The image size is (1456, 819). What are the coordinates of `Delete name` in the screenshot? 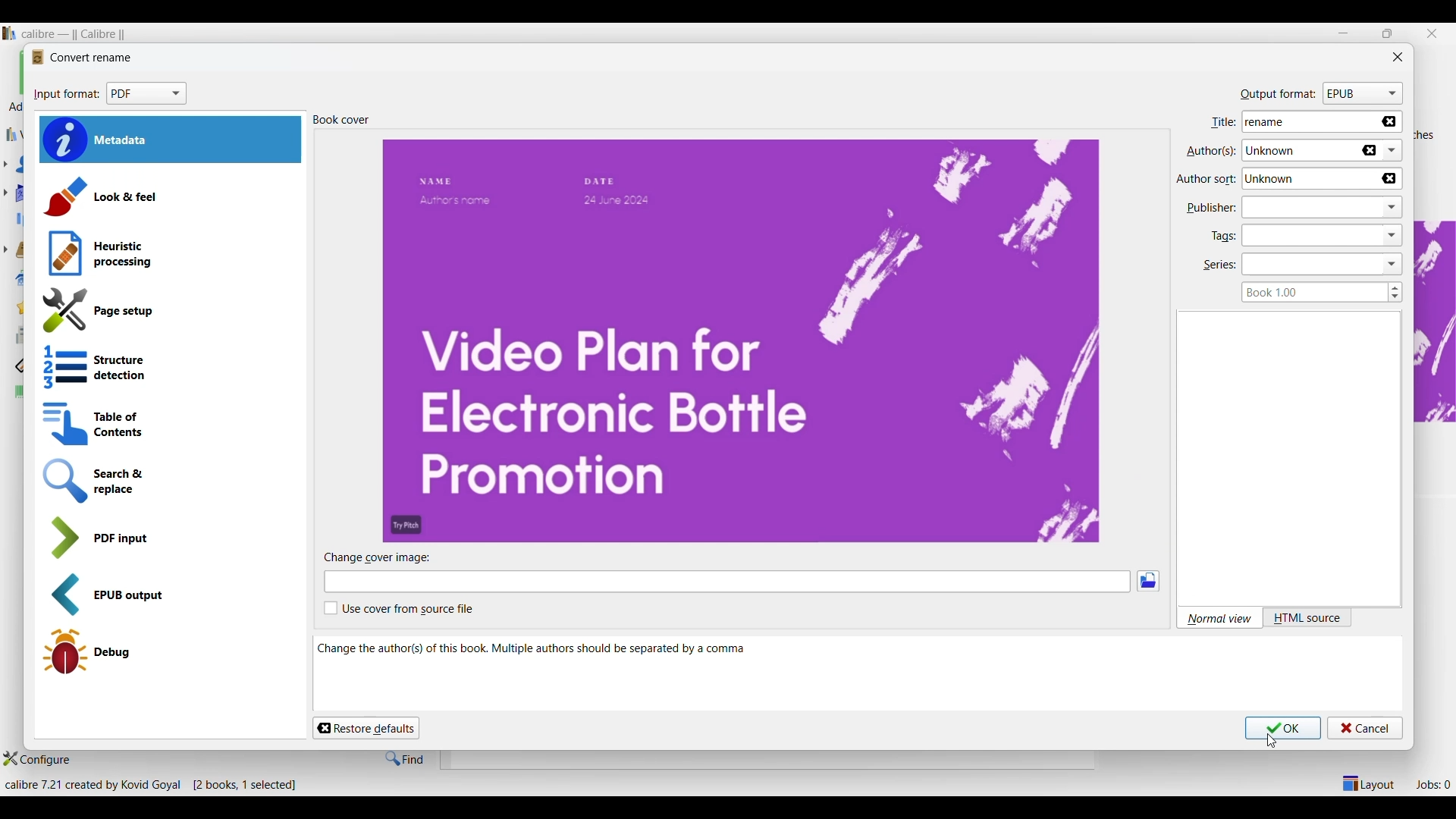 It's located at (1369, 151).